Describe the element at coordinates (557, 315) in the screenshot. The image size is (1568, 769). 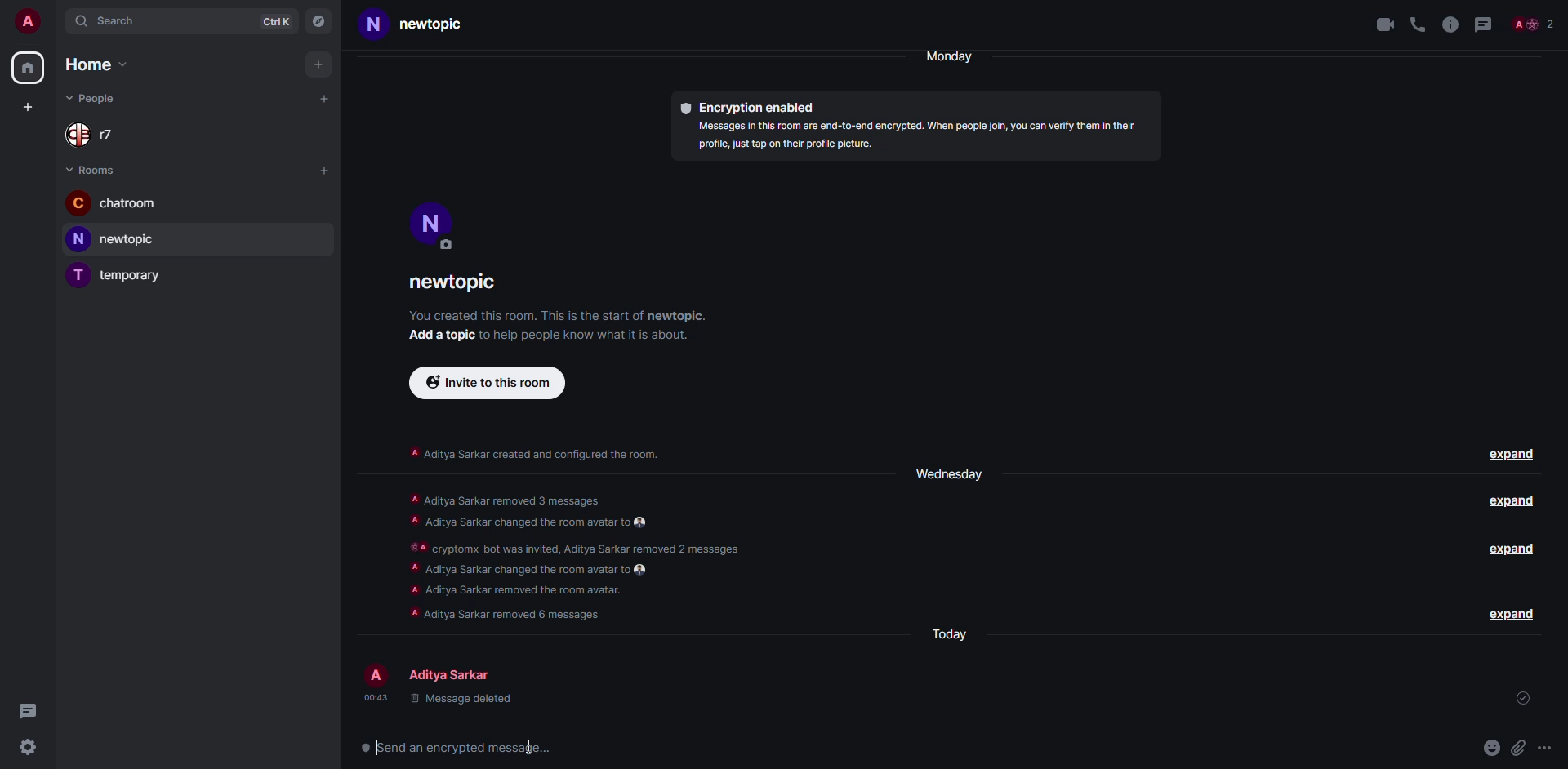
I see `info` at that location.